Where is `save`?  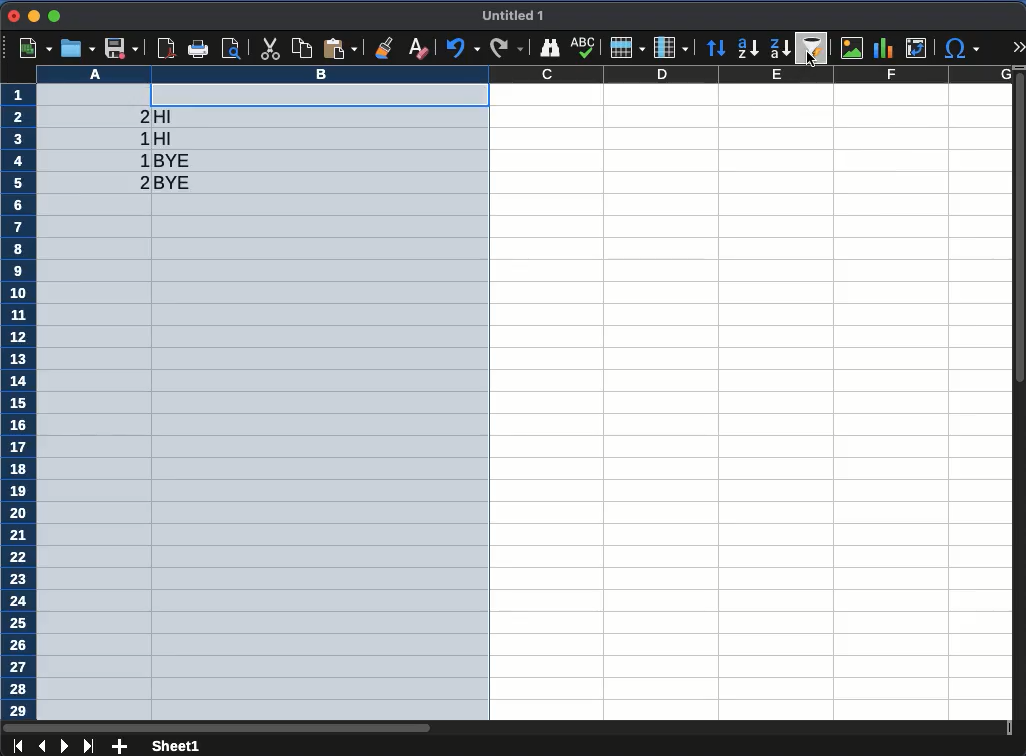
save is located at coordinates (123, 50).